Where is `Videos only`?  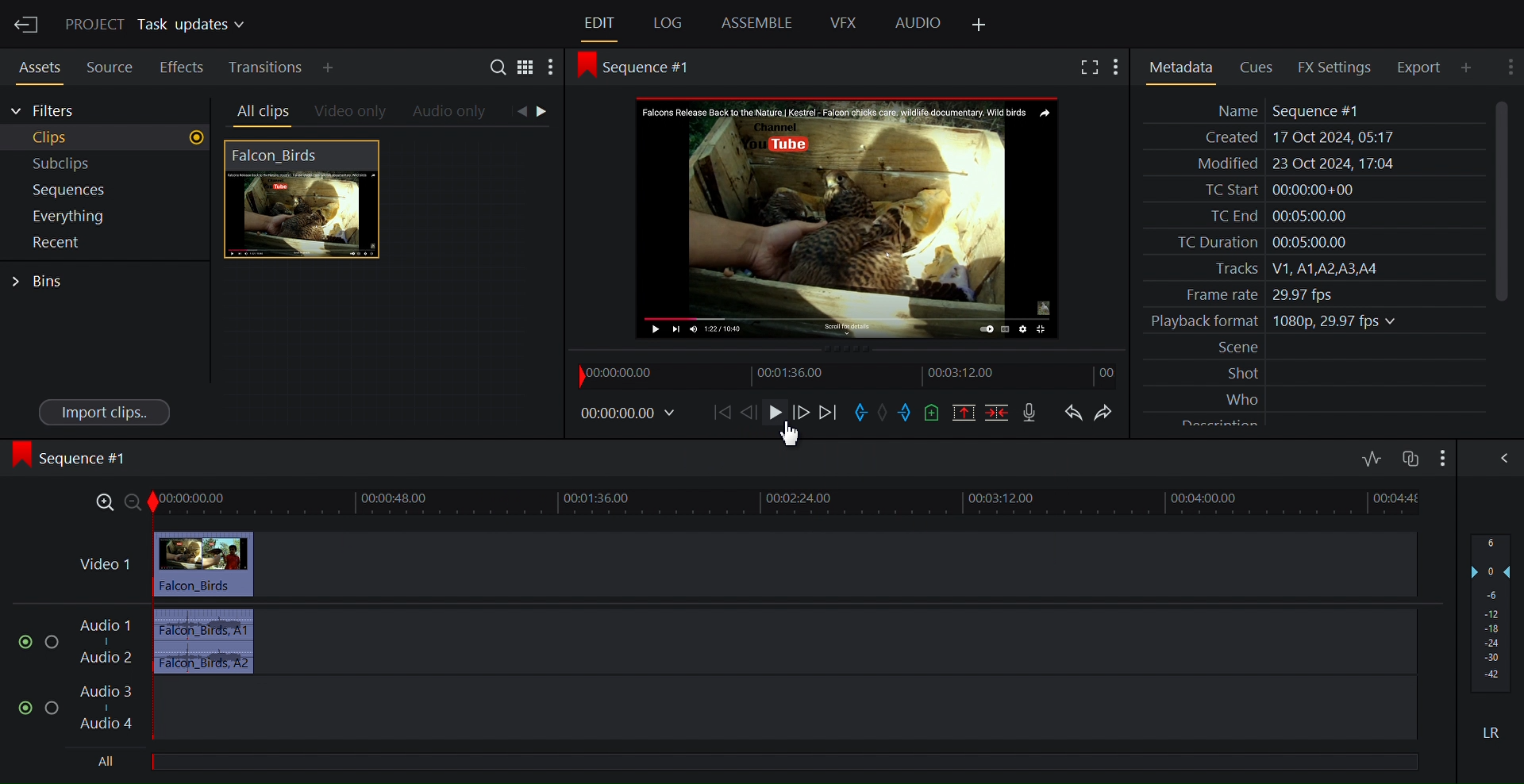 Videos only is located at coordinates (351, 113).